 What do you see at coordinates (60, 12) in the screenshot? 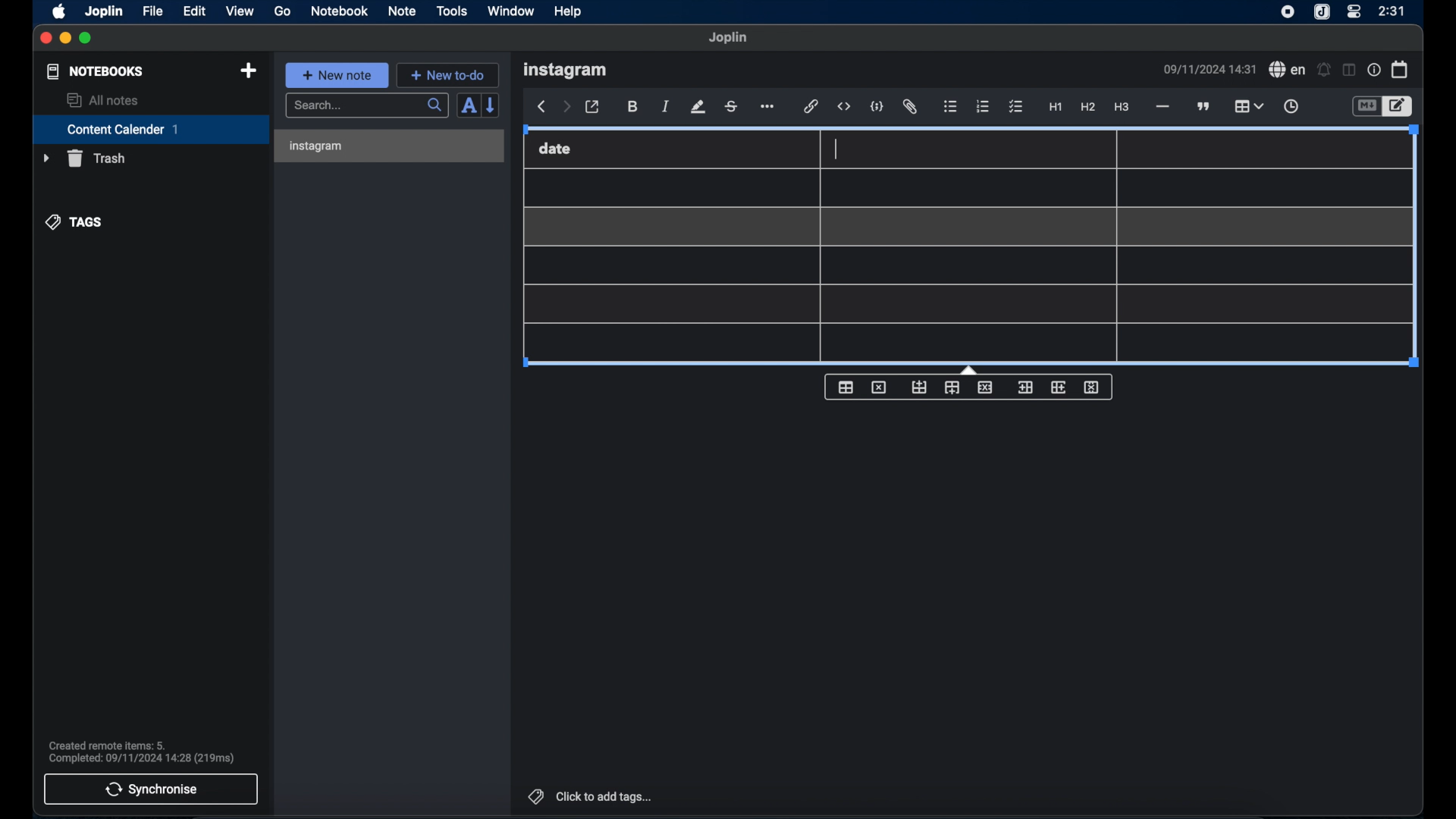
I see `apple icon` at bounding box center [60, 12].